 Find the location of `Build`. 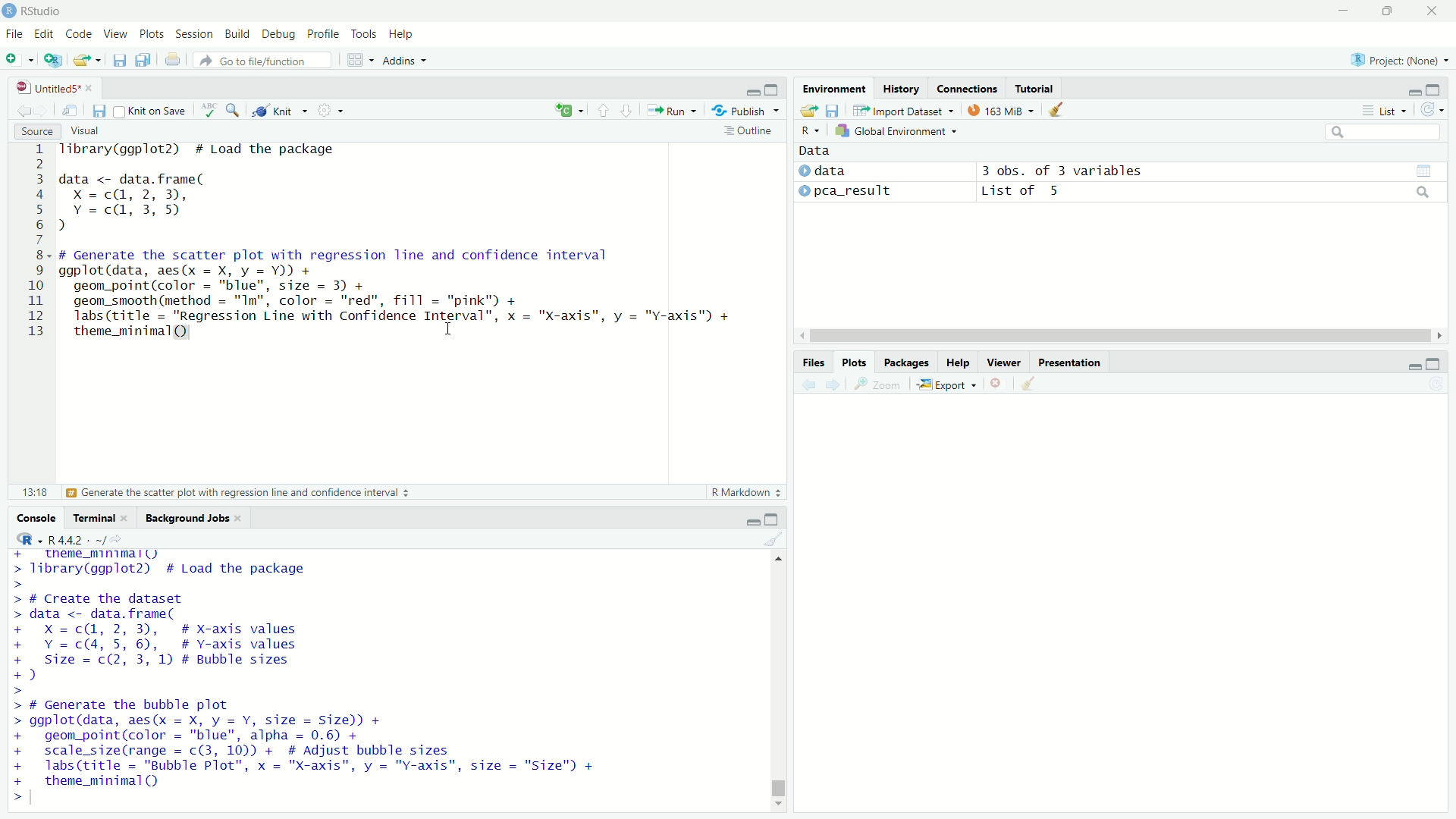

Build is located at coordinates (237, 33).